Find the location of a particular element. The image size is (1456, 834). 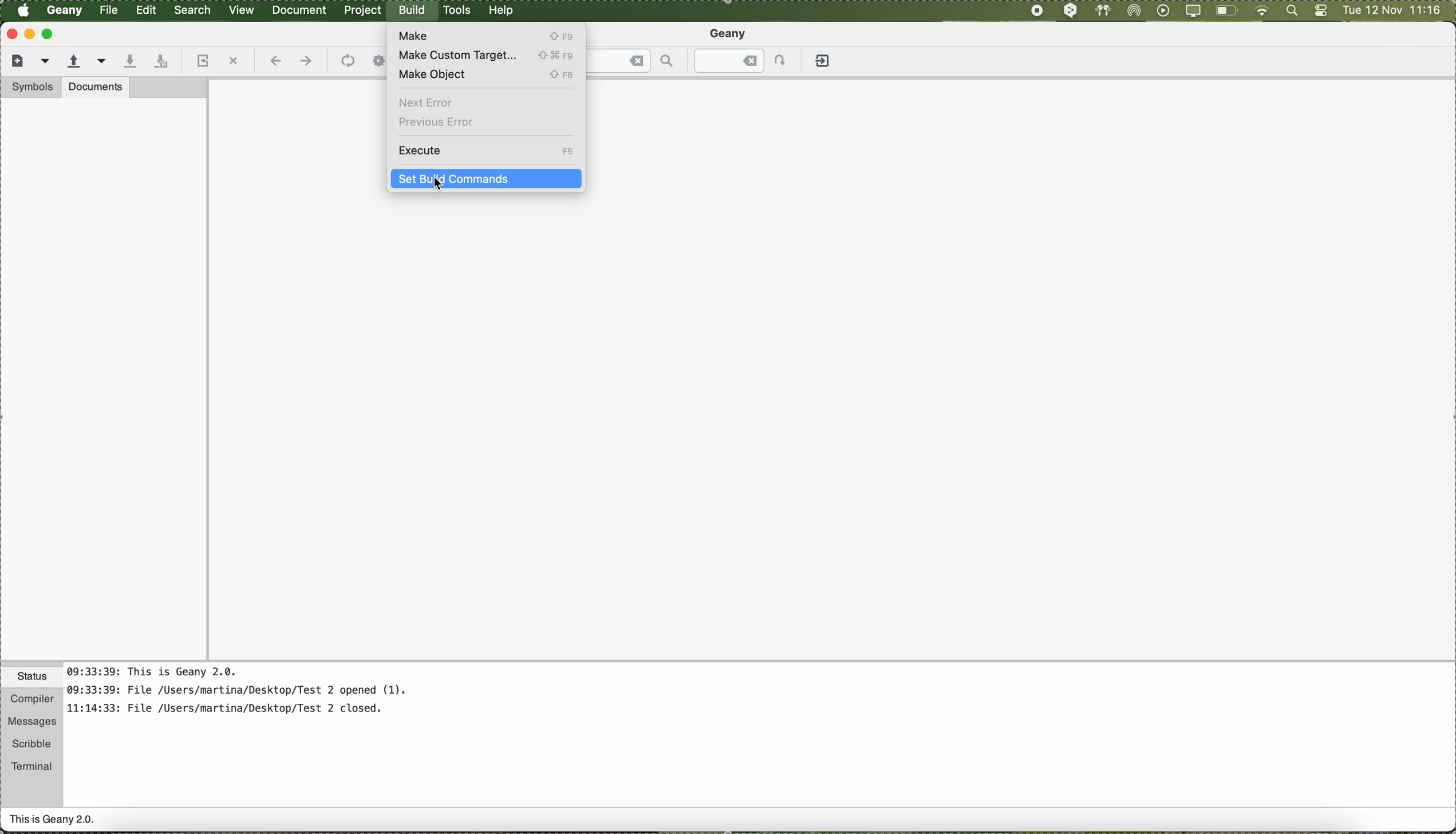

set build commands is located at coordinates (486, 182).